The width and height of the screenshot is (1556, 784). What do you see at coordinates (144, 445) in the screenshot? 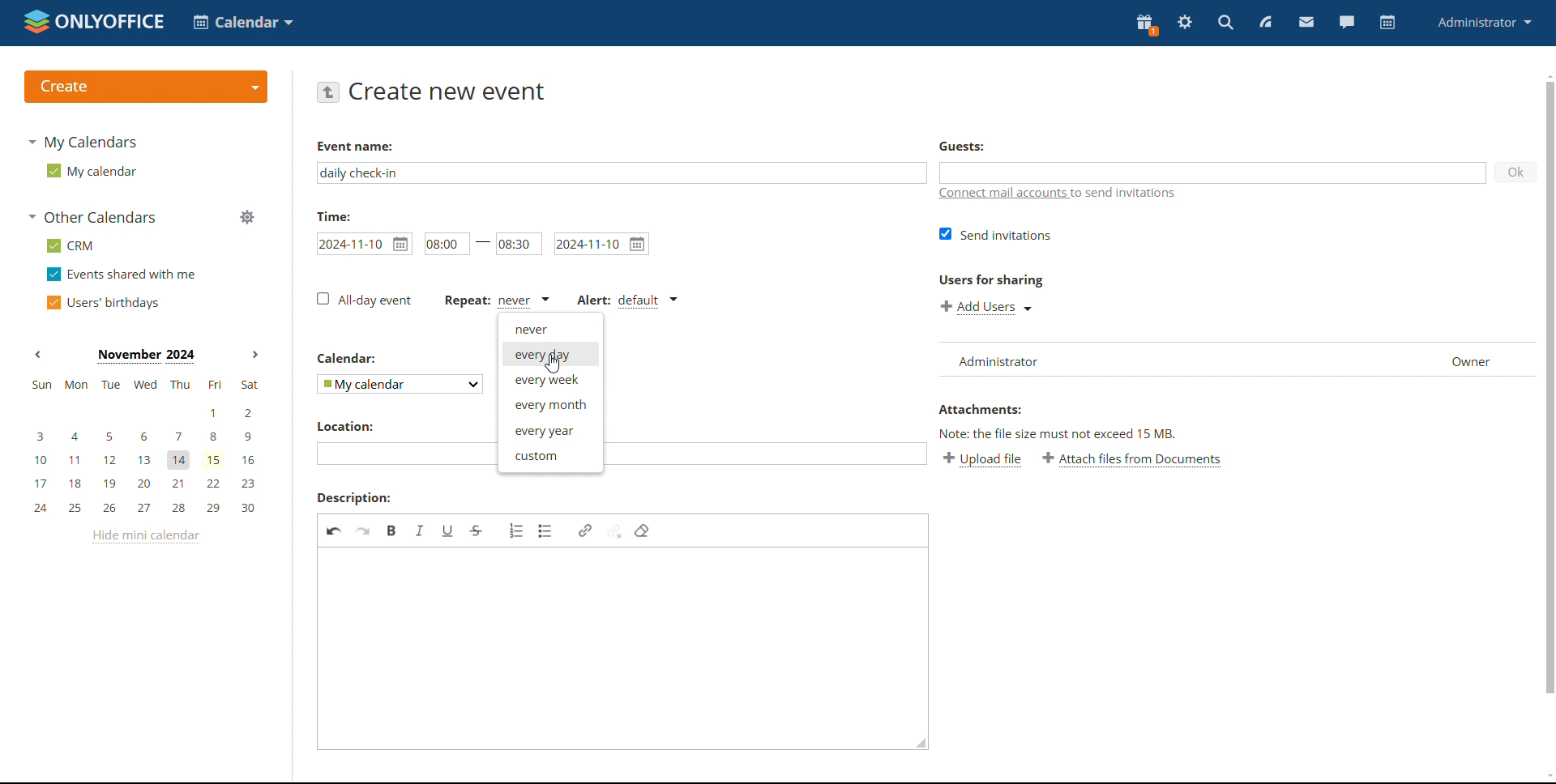
I see `mini calendar` at bounding box center [144, 445].